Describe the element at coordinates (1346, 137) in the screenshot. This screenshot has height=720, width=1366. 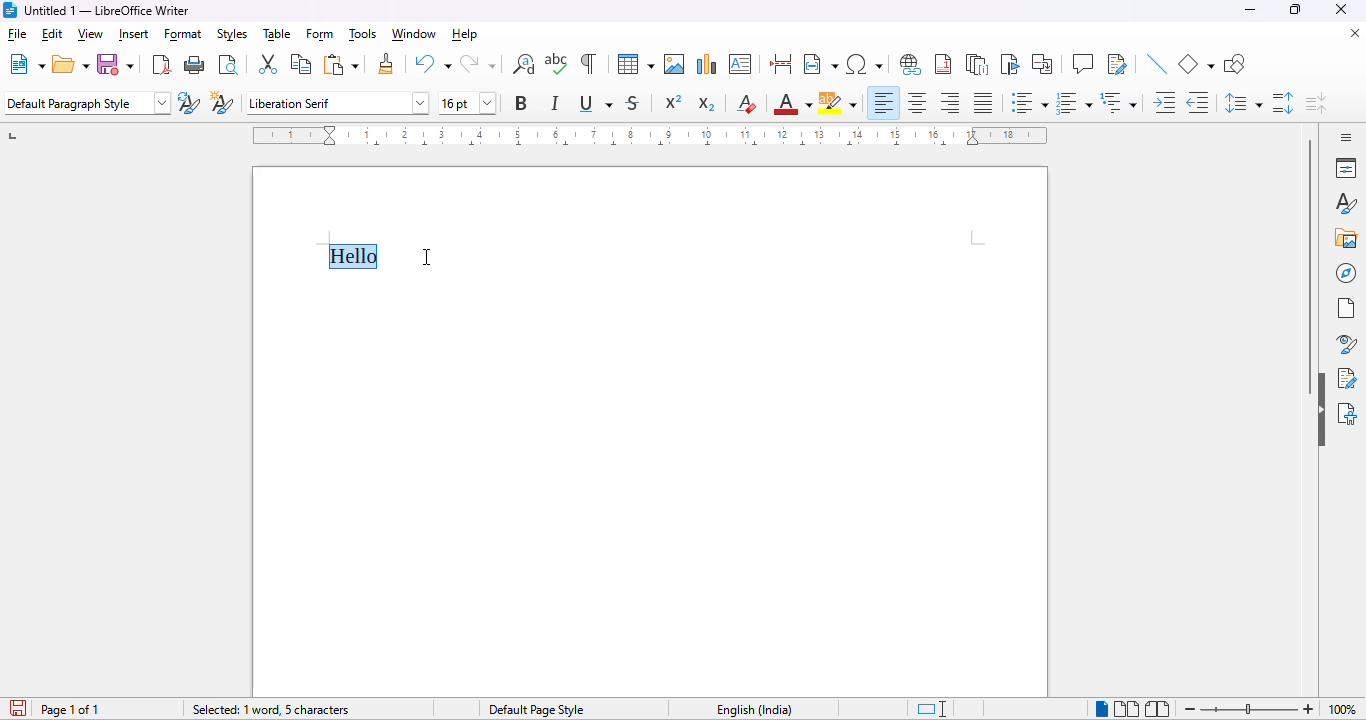
I see `sidebar settings` at that location.